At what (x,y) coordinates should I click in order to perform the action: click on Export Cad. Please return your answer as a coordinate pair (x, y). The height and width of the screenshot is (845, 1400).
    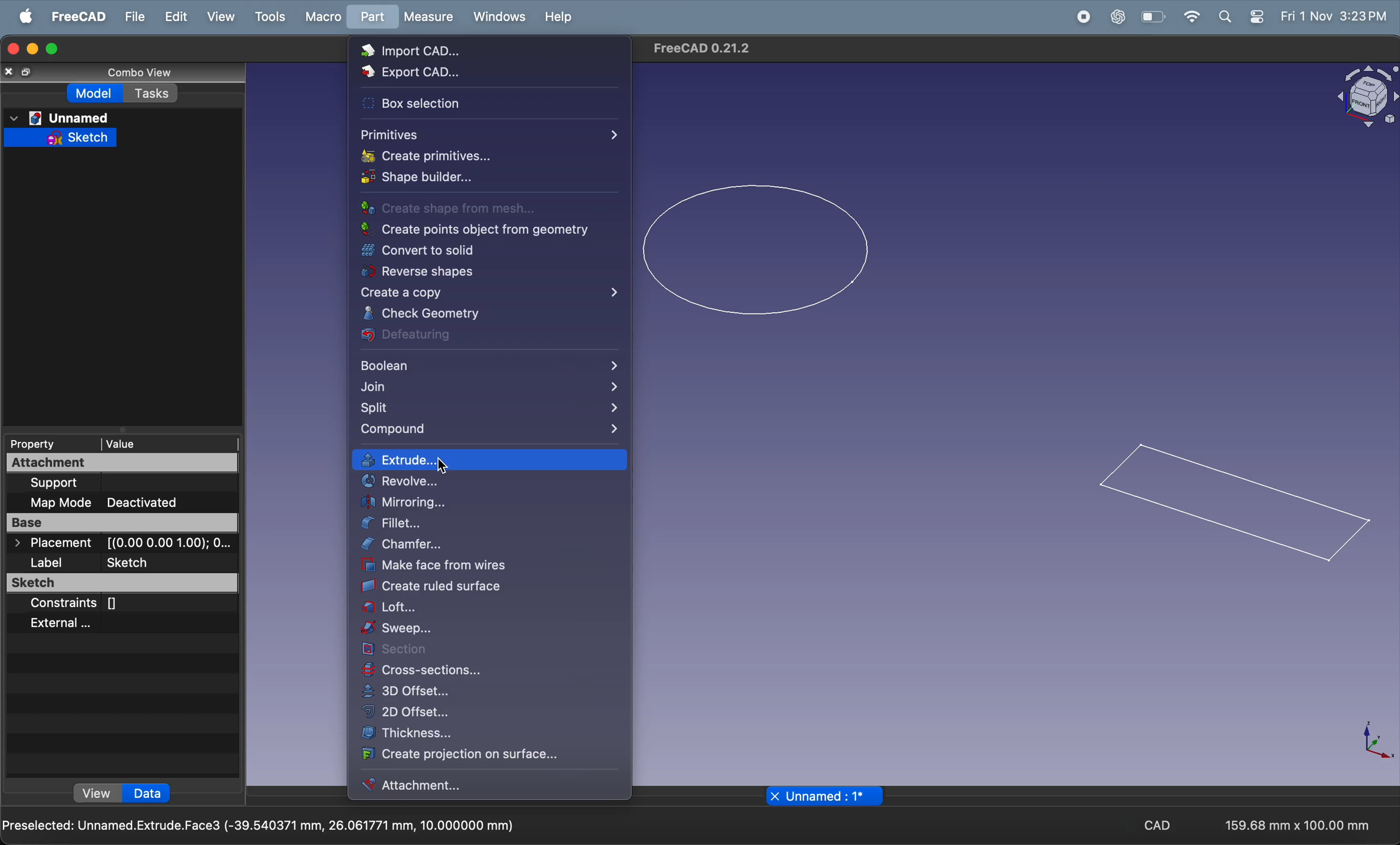
    Looking at the image, I should click on (419, 73).